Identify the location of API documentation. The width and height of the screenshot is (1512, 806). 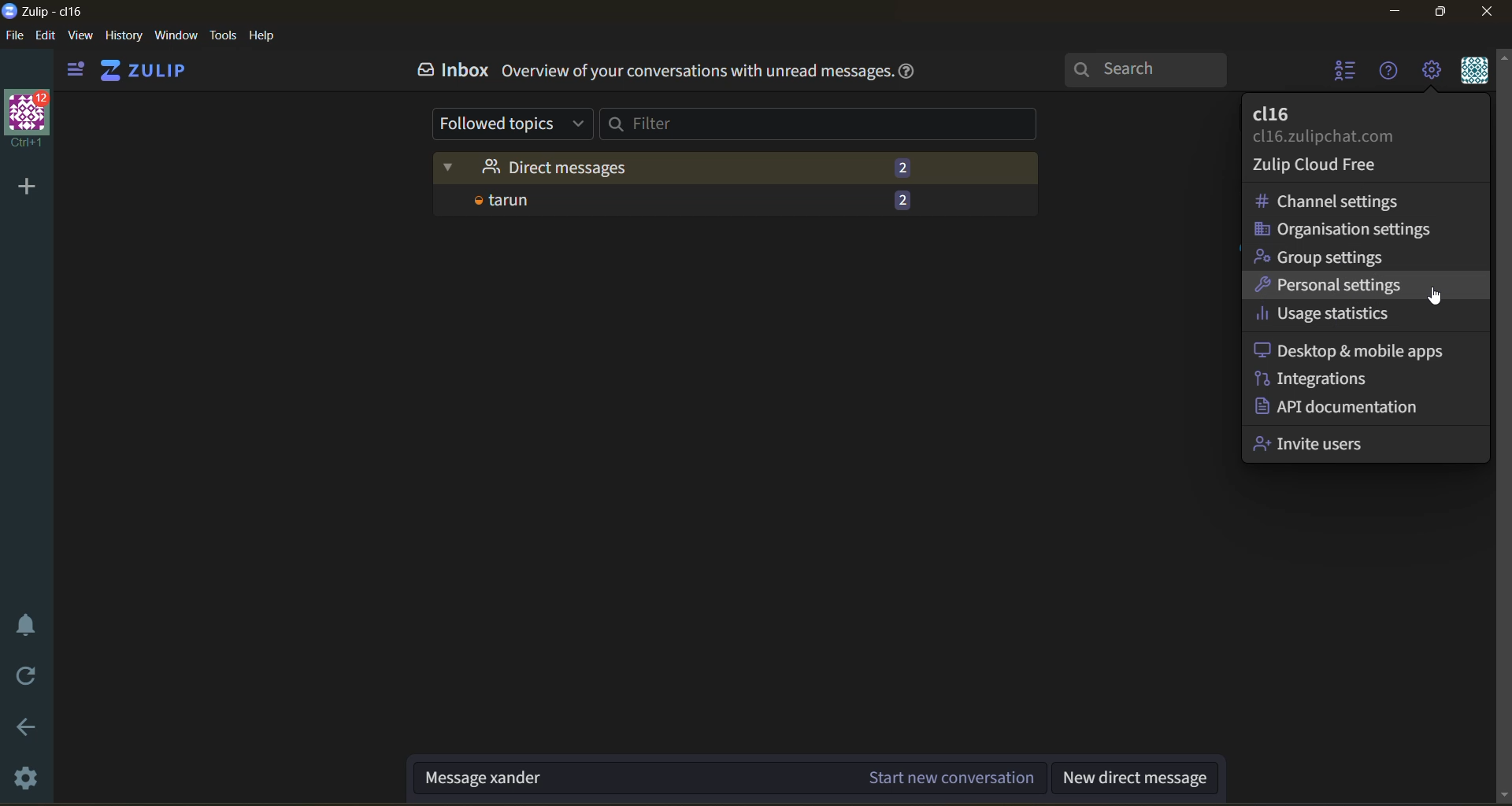
(1340, 408).